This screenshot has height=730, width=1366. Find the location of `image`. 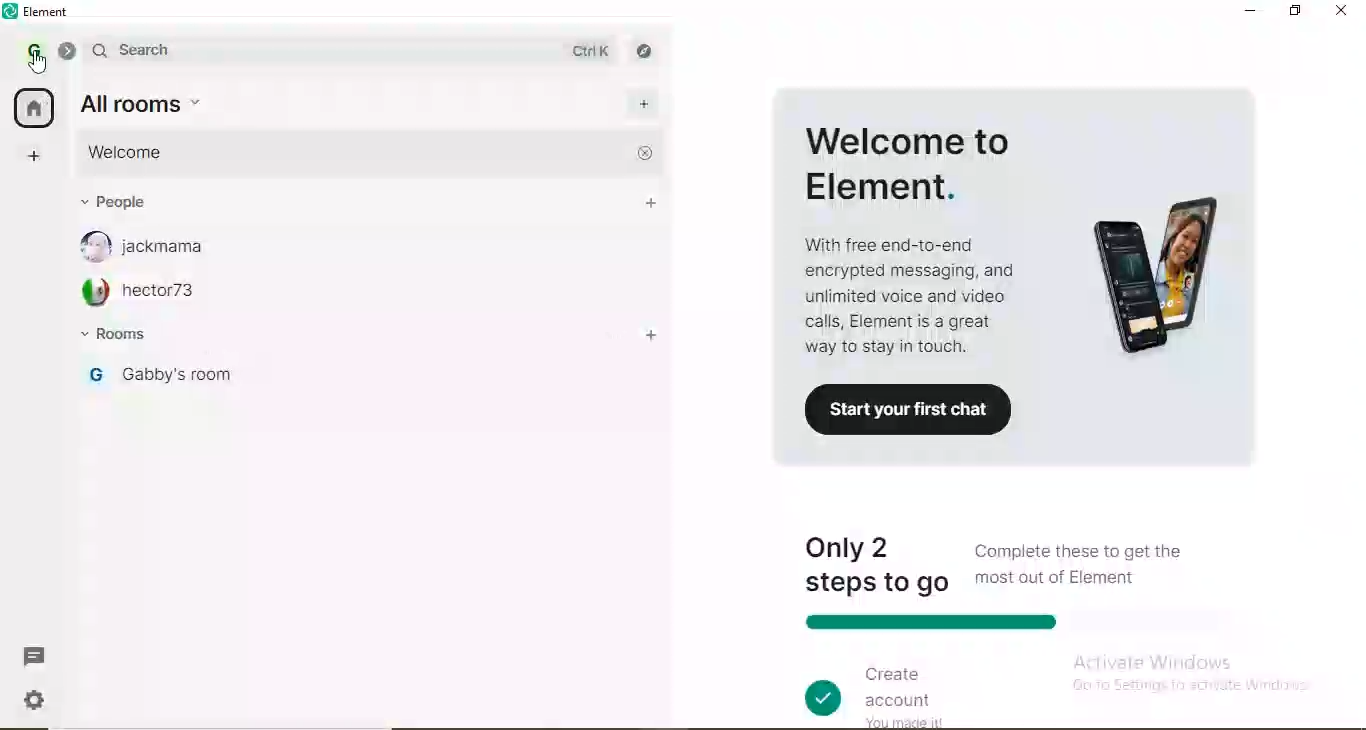

image is located at coordinates (1145, 262).